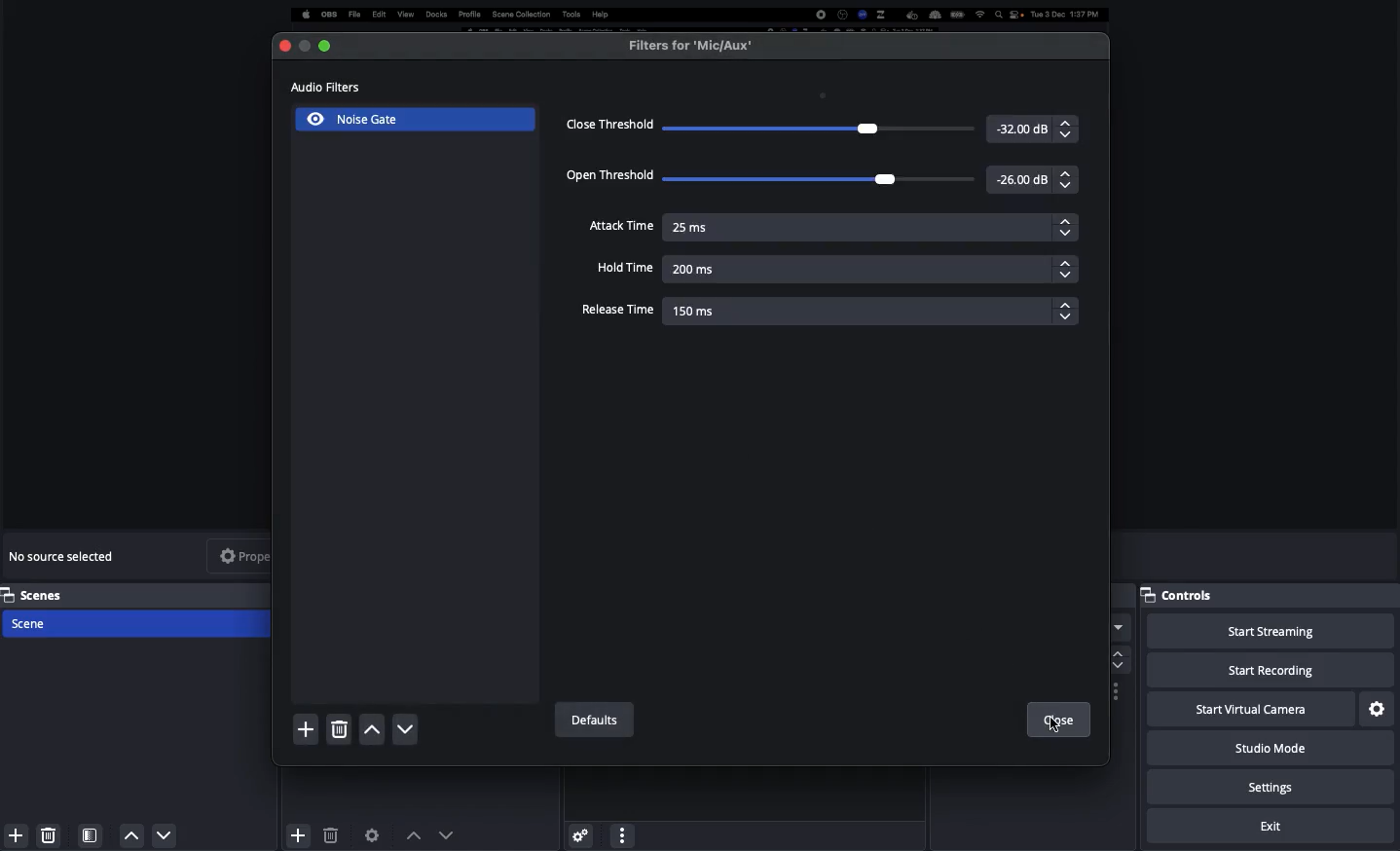 The height and width of the screenshot is (851, 1400). Describe the element at coordinates (1055, 723) in the screenshot. I see `Click` at that location.